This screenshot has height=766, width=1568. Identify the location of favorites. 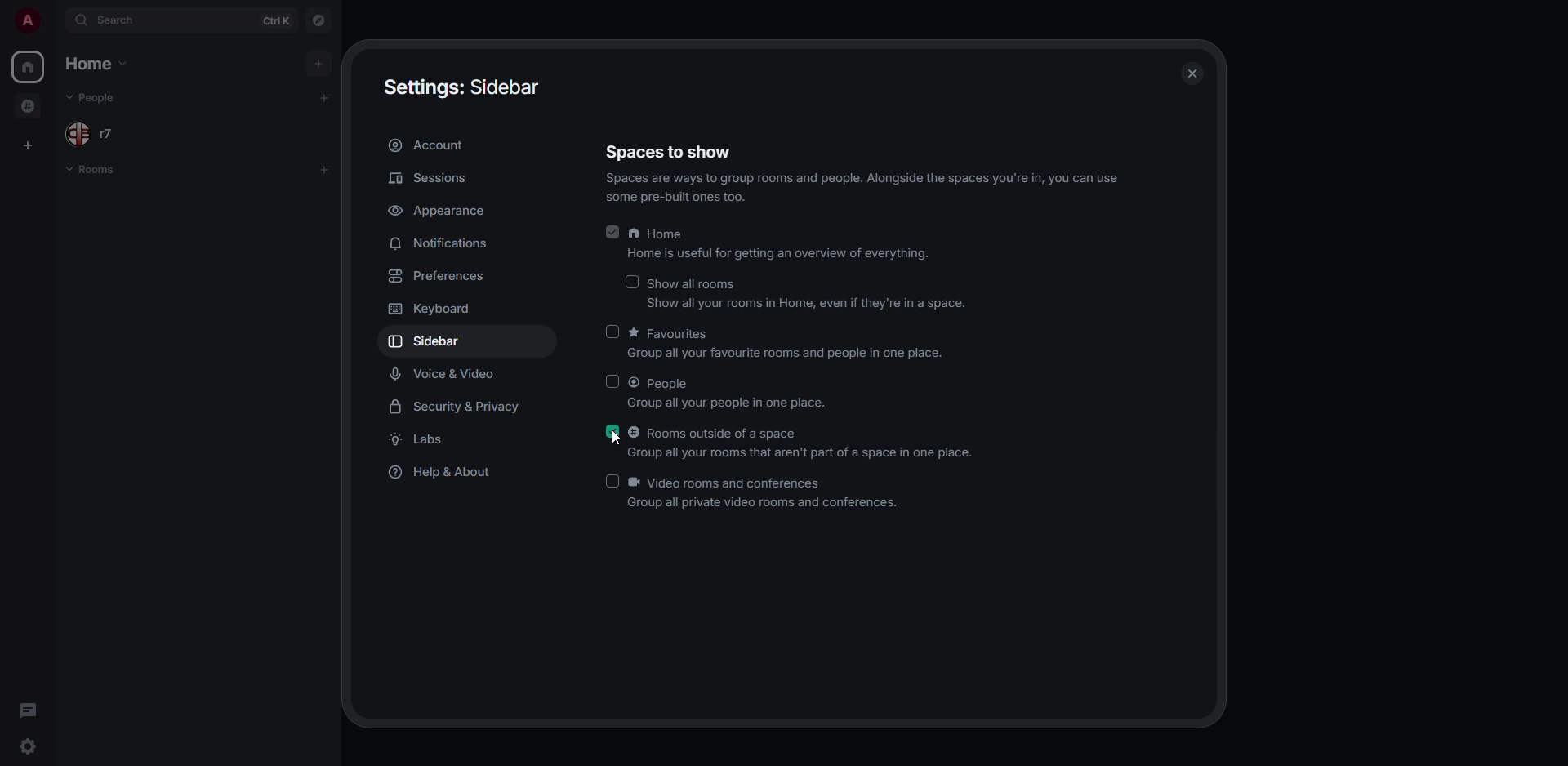
(790, 345).